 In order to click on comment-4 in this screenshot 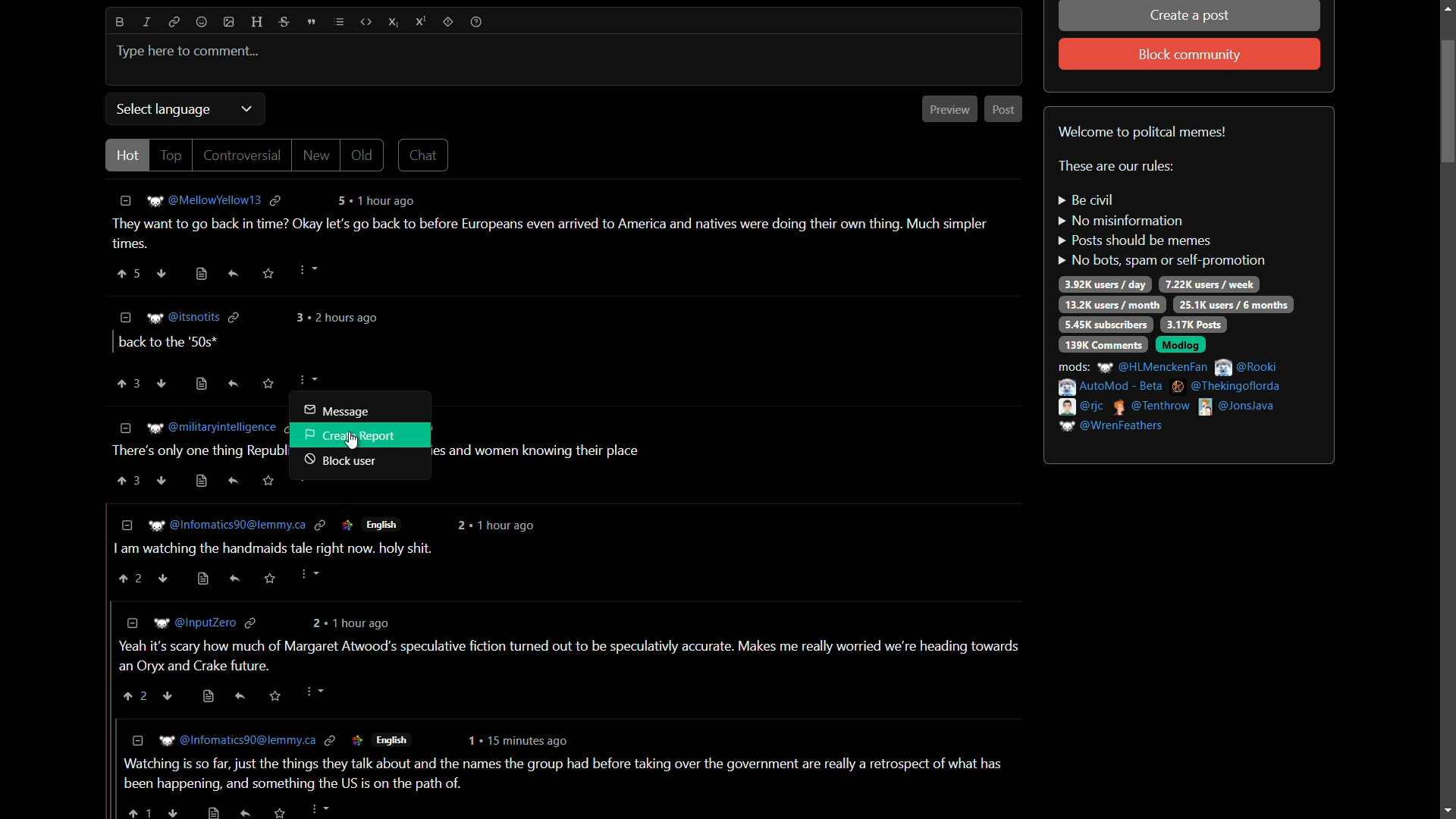, I will do `click(322, 553)`.